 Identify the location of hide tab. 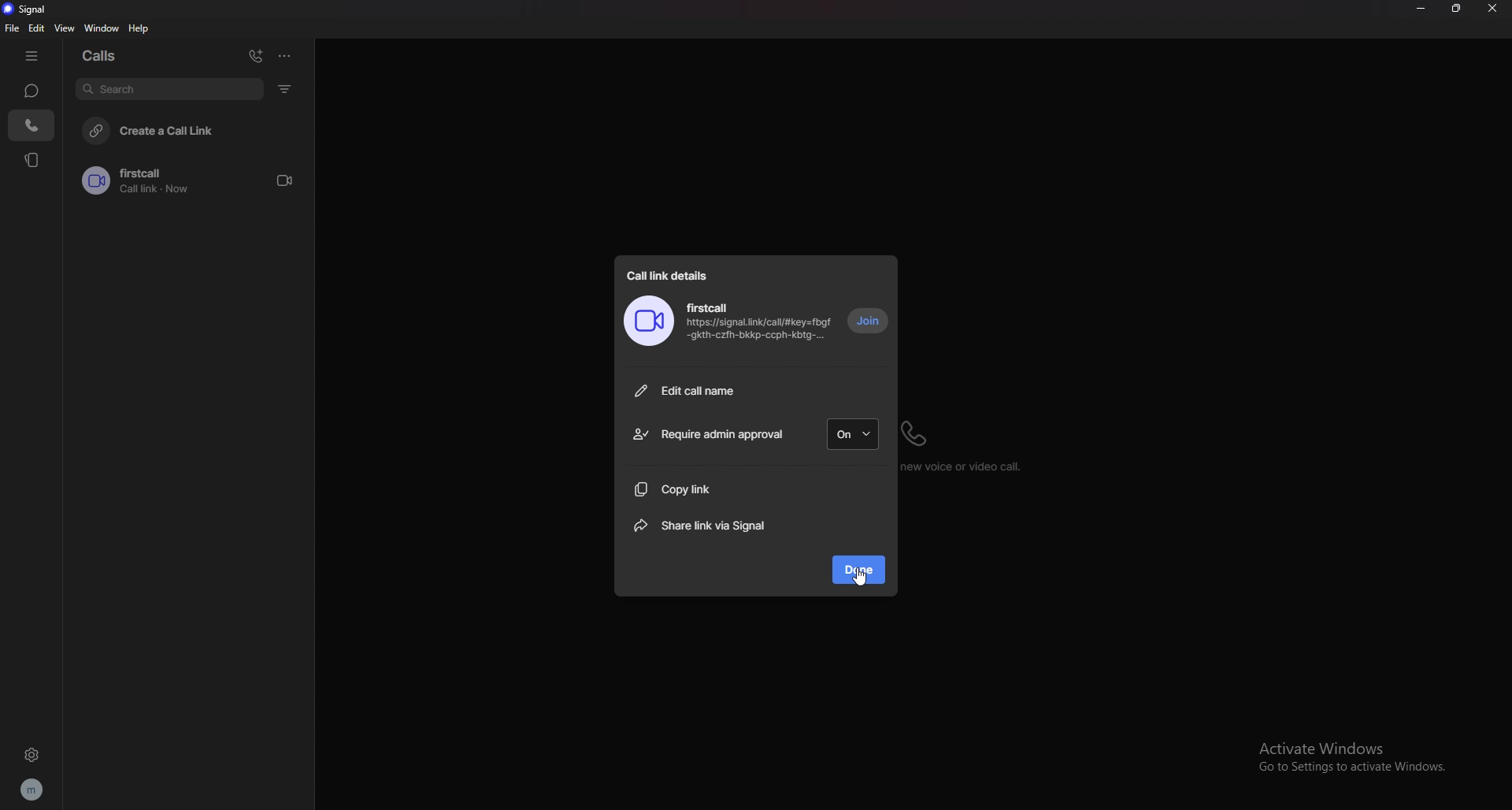
(31, 57).